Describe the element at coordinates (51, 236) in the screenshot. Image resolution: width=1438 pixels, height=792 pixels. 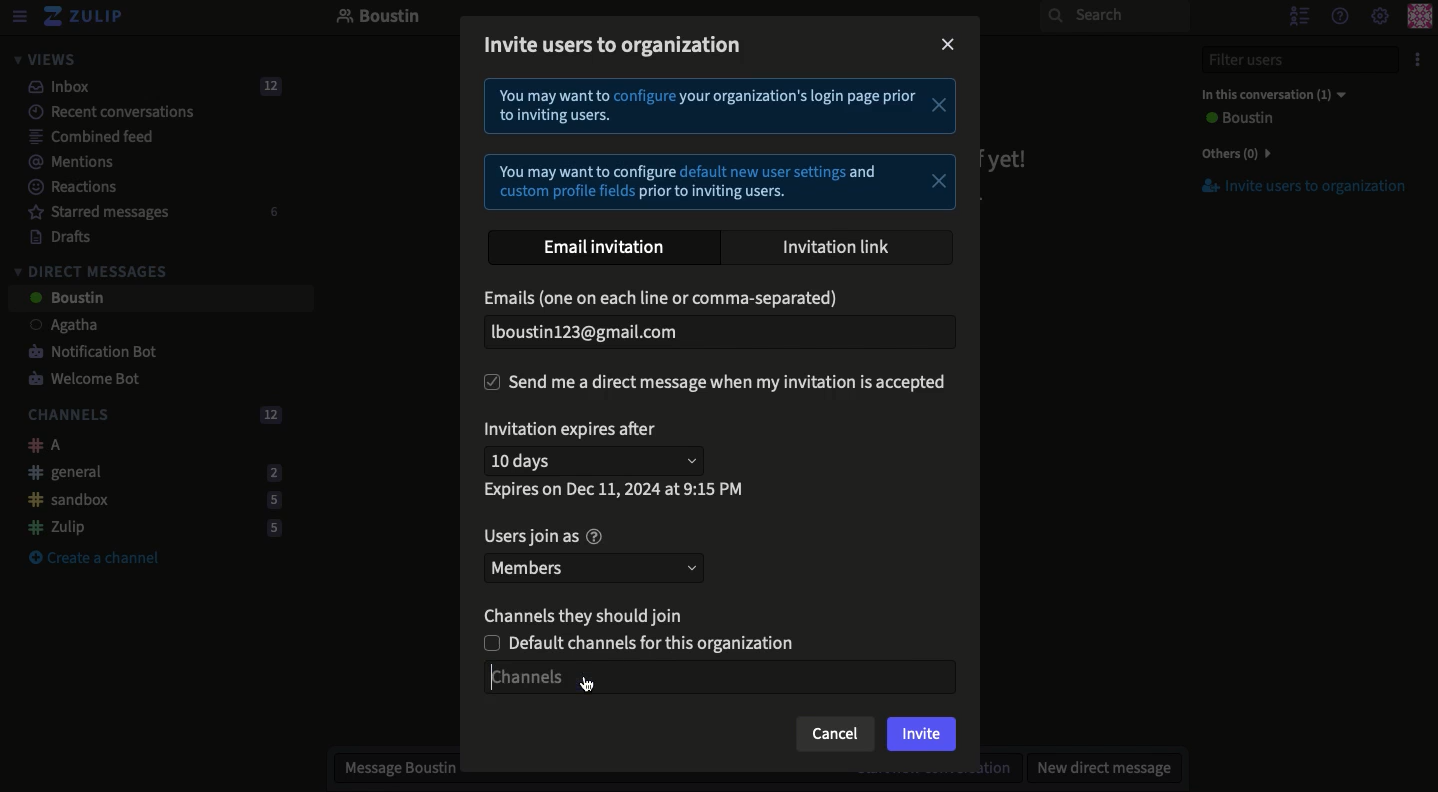
I see `Drafts` at that location.